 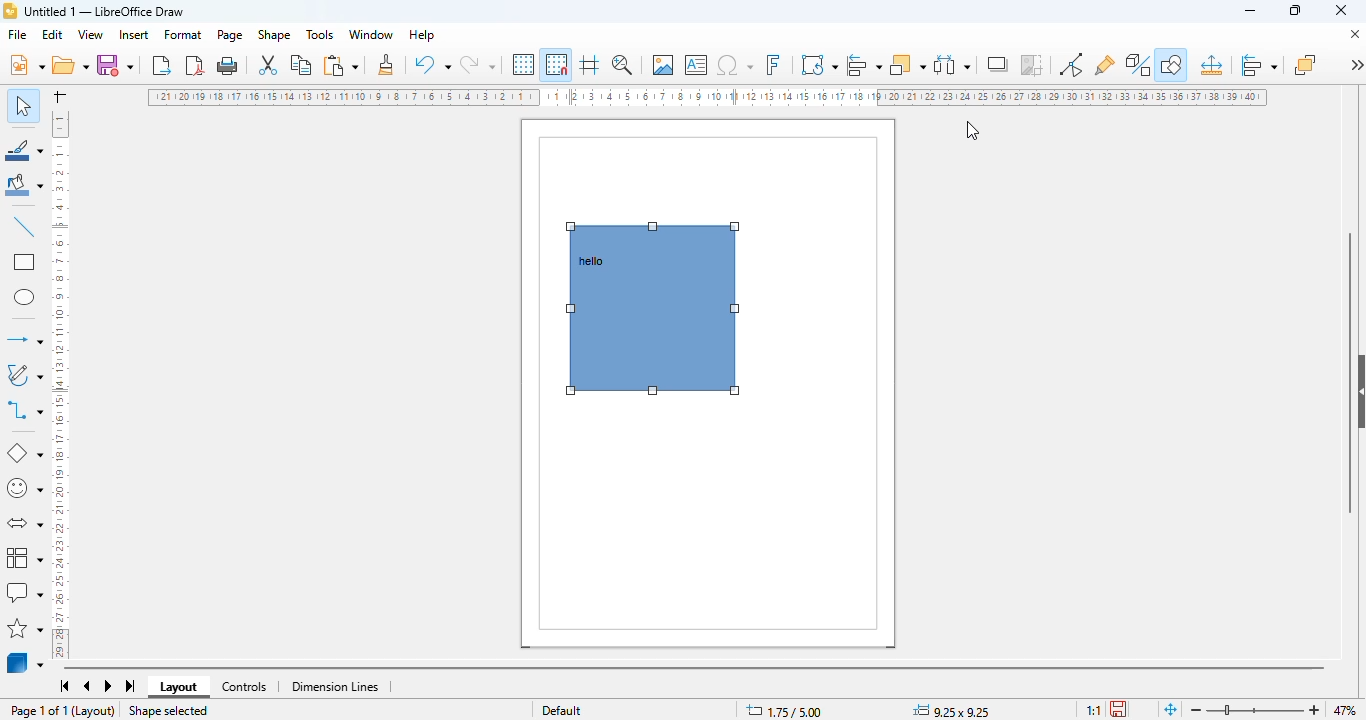 I want to click on select, so click(x=23, y=105).